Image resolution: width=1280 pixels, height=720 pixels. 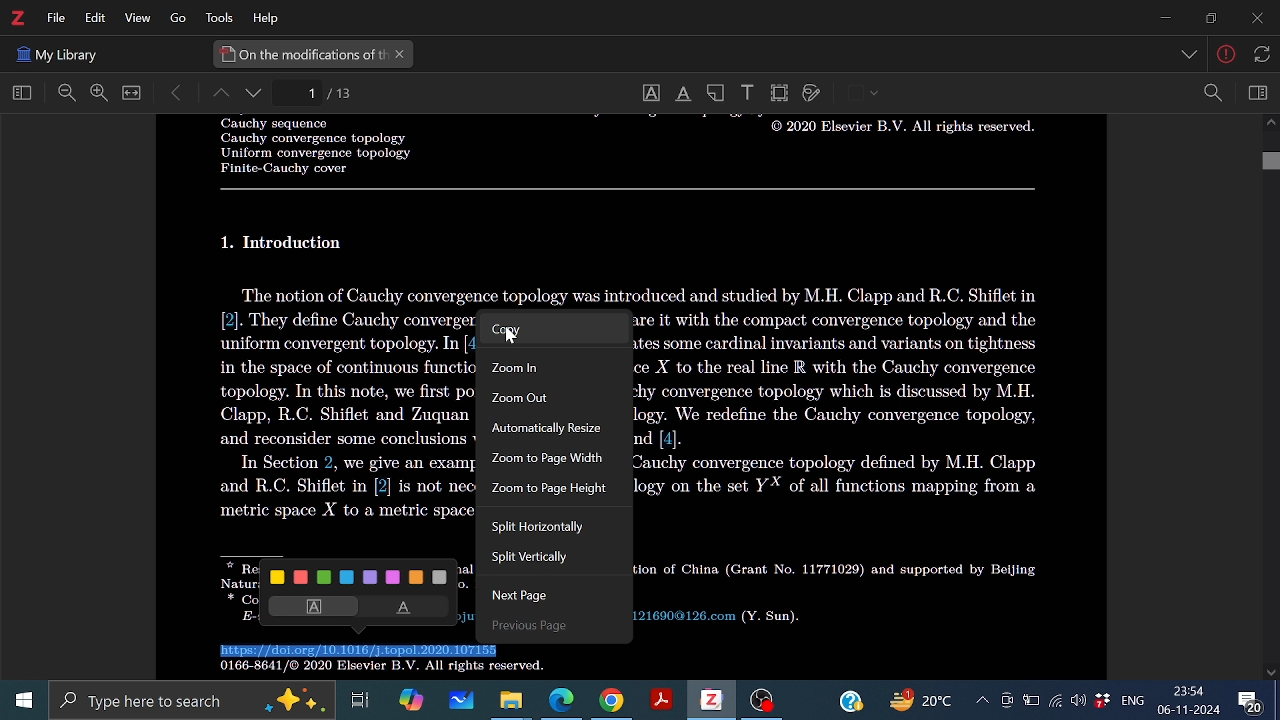 I want to click on OBS studio, so click(x=762, y=702).